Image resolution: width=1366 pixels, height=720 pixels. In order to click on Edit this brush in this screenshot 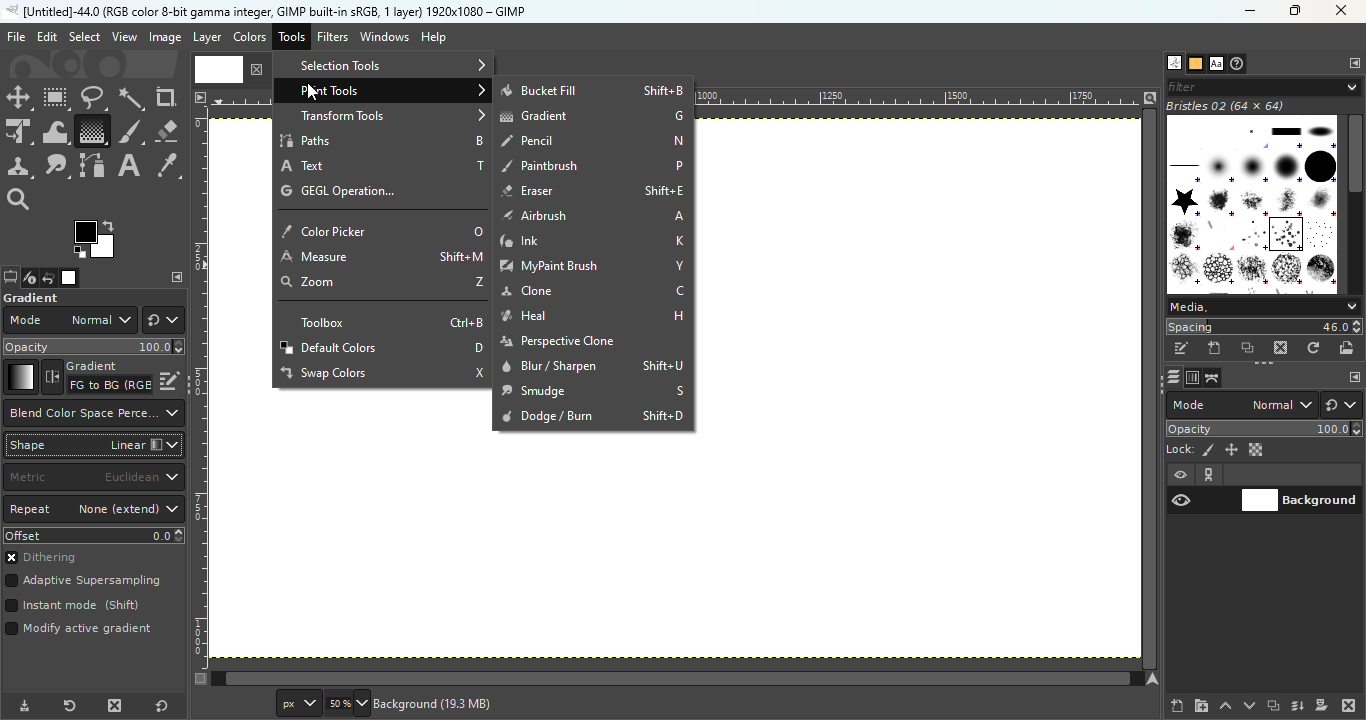, I will do `click(1181, 349)`.